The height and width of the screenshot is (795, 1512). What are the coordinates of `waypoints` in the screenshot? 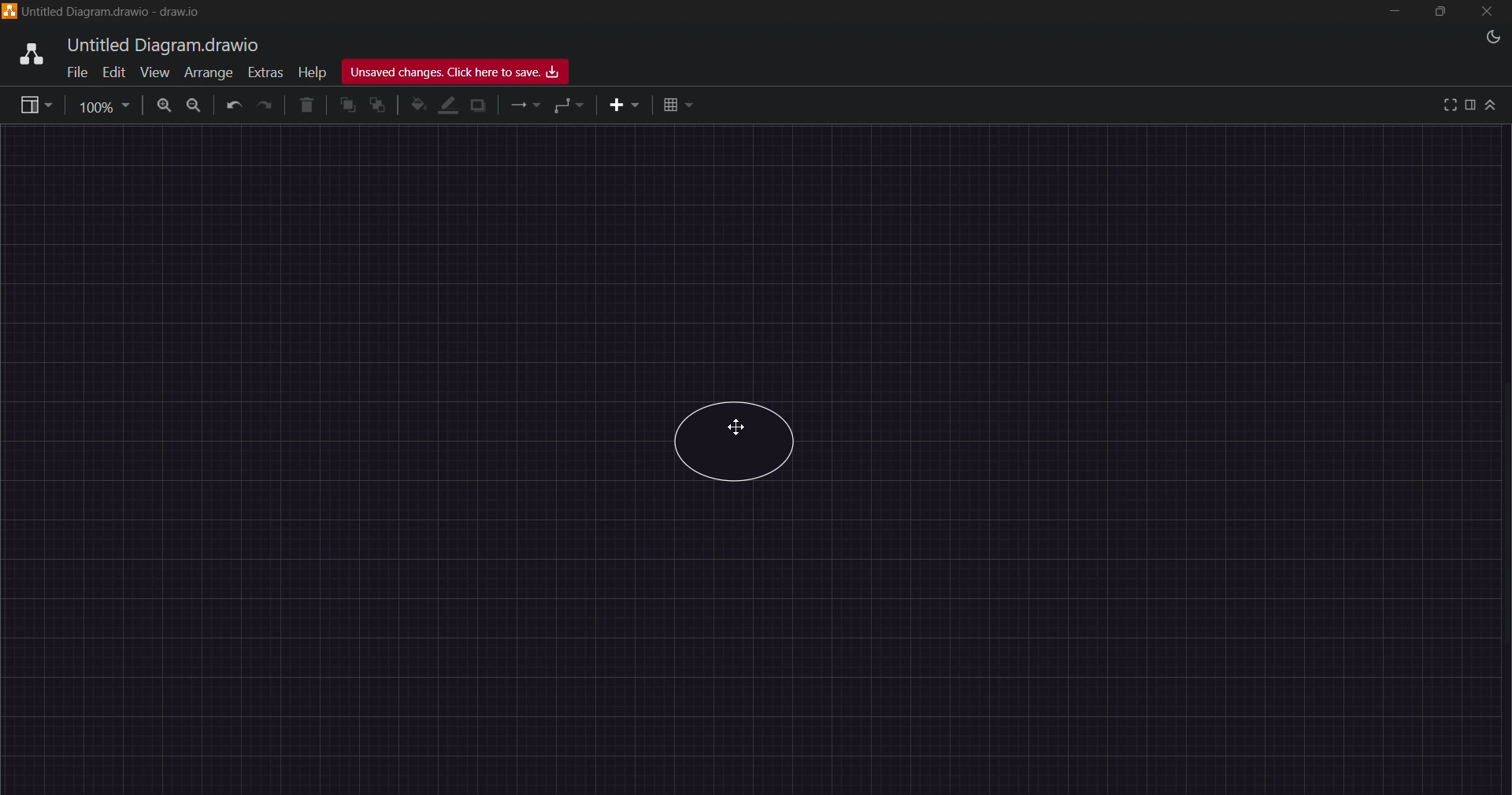 It's located at (566, 107).